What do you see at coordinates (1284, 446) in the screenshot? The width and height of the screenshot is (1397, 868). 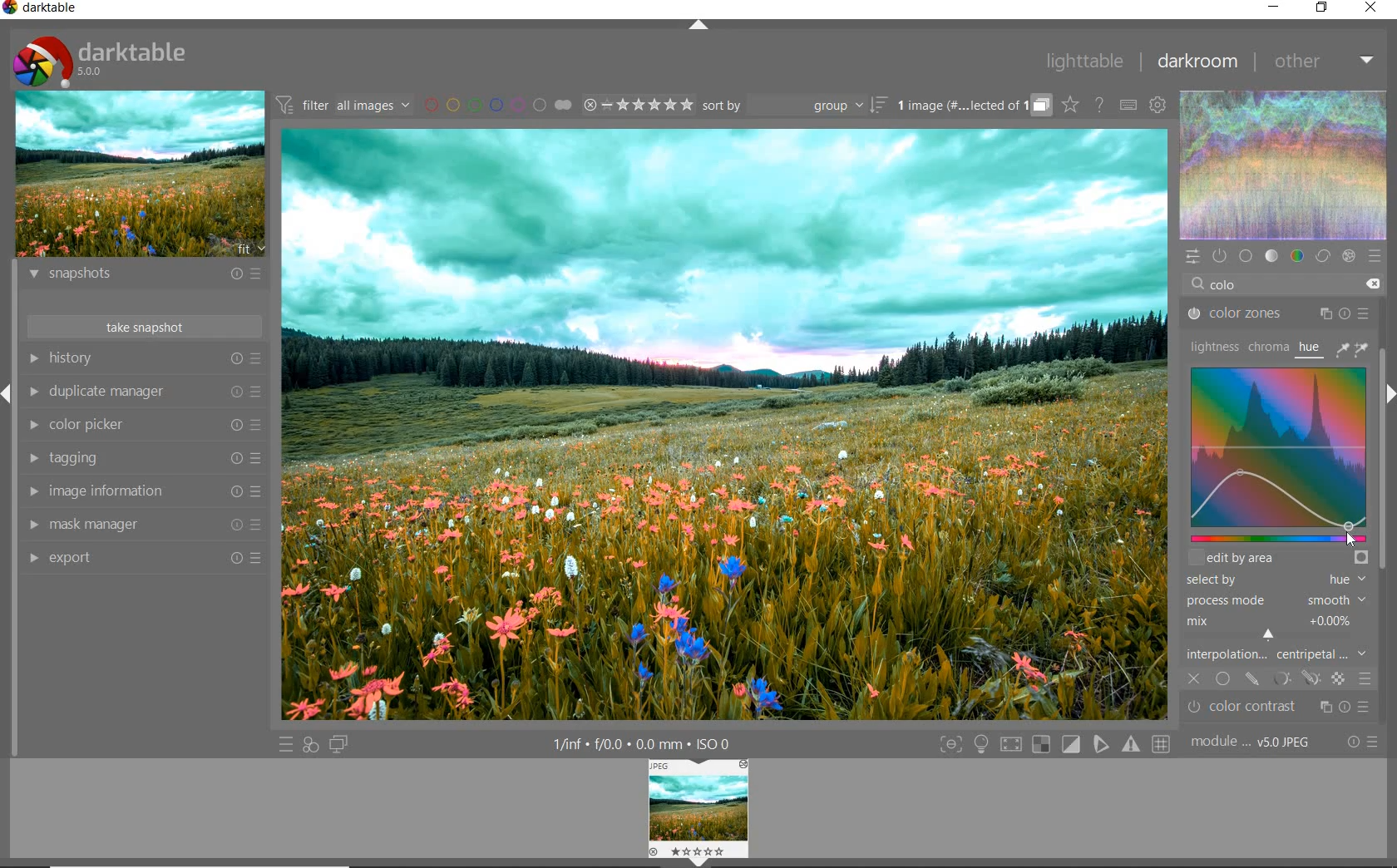 I see `Colorize` at bounding box center [1284, 446].